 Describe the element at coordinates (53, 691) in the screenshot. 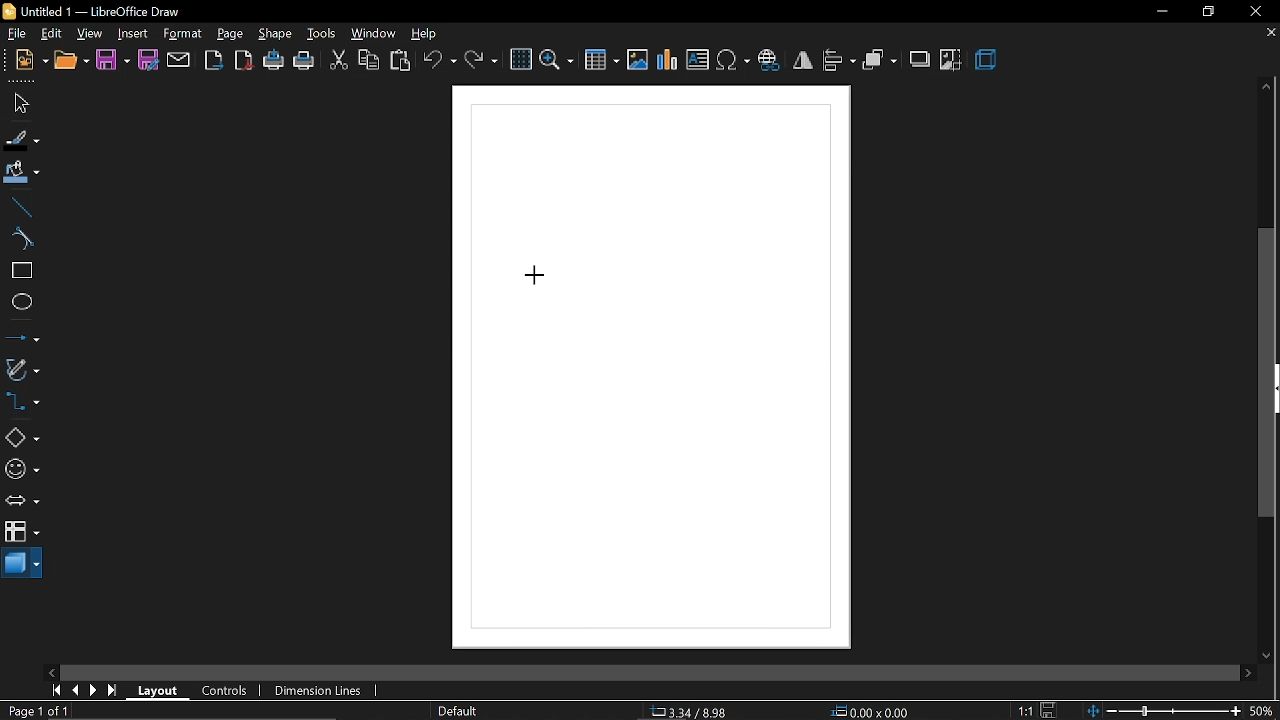

I see `go to first page` at that location.